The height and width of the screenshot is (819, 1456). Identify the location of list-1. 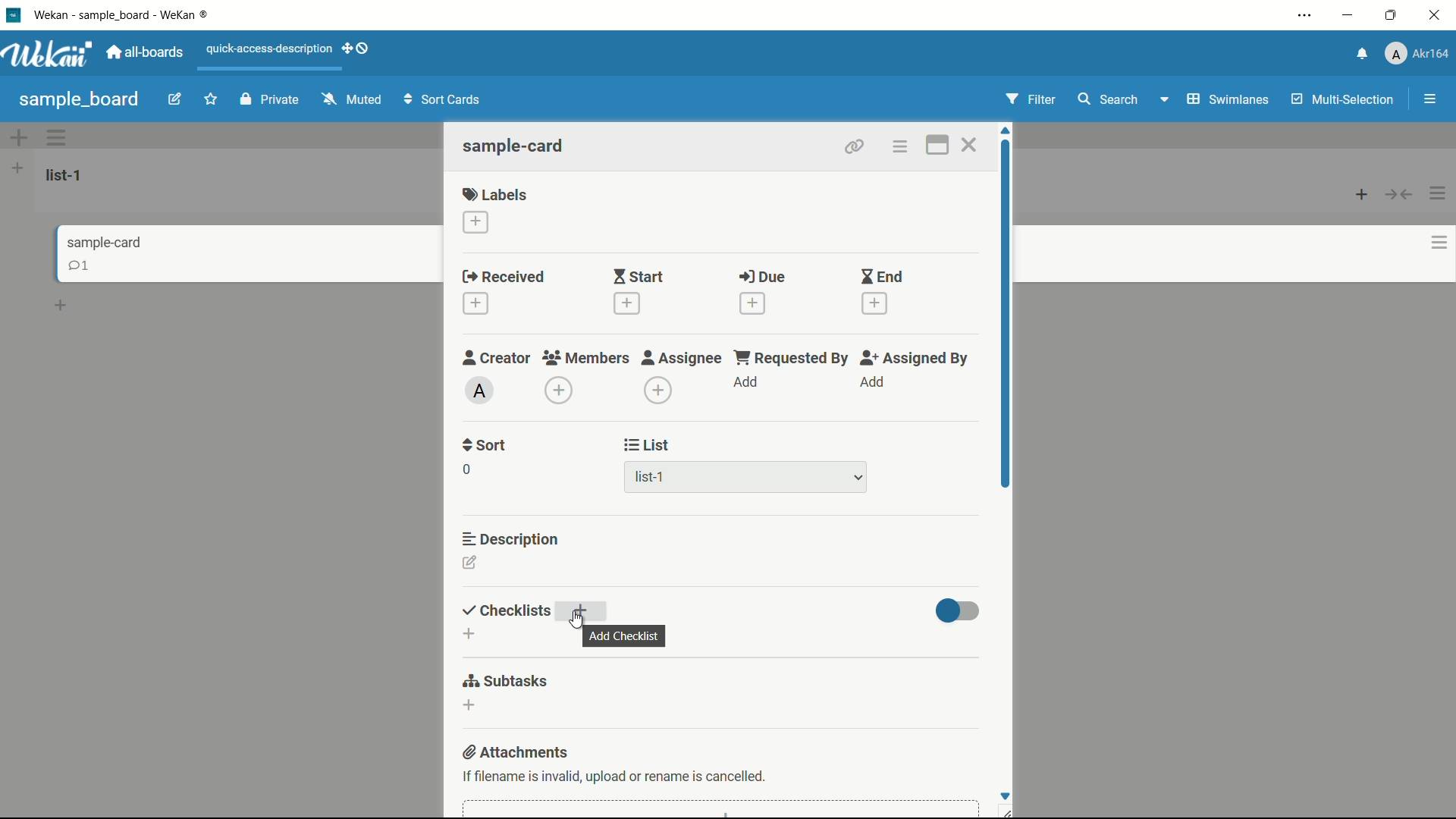
(650, 478).